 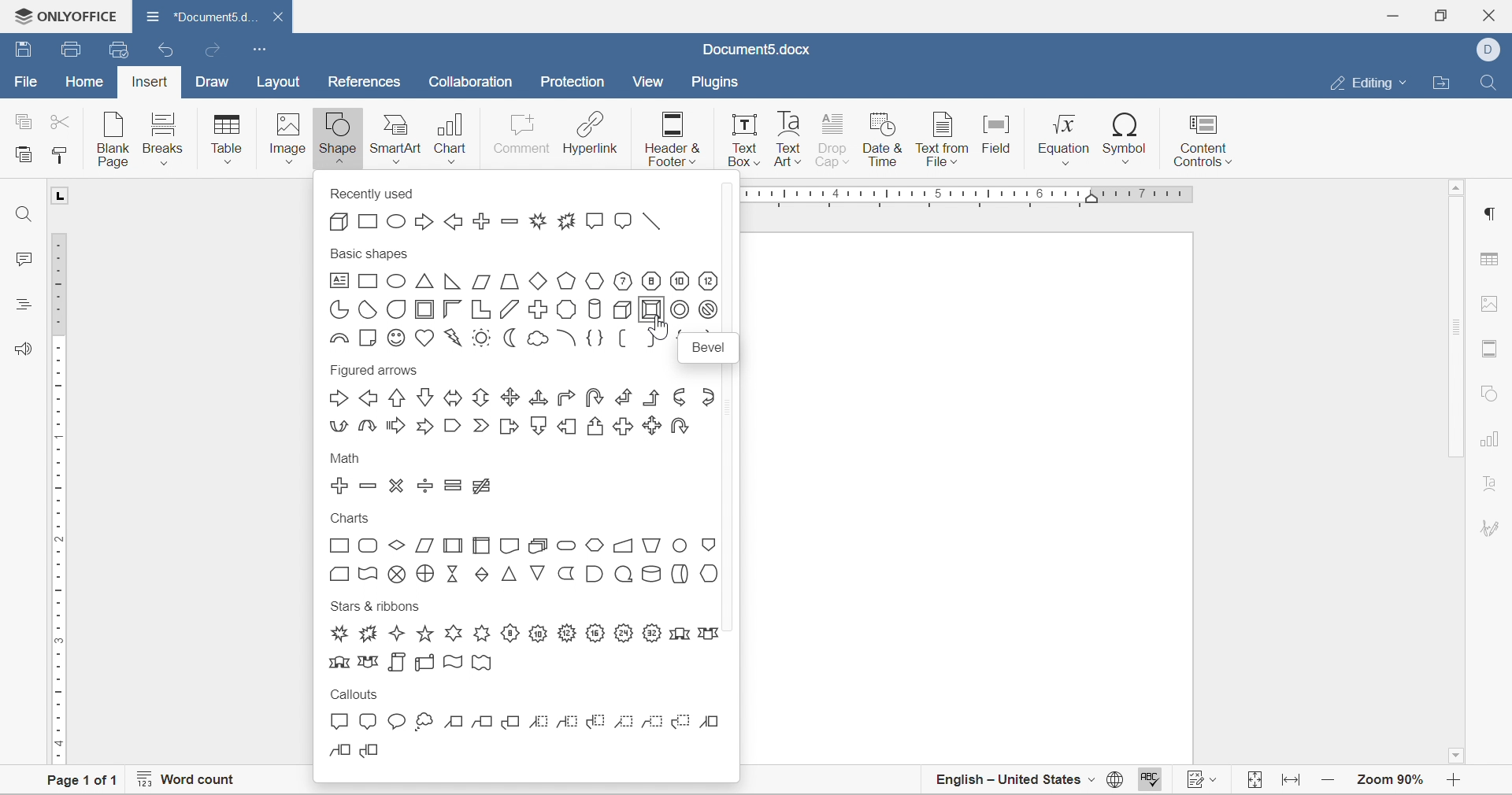 What do you see at coordinates (57, 123) in the screenshot?
I see `cut` at bounding box center [57, 123].